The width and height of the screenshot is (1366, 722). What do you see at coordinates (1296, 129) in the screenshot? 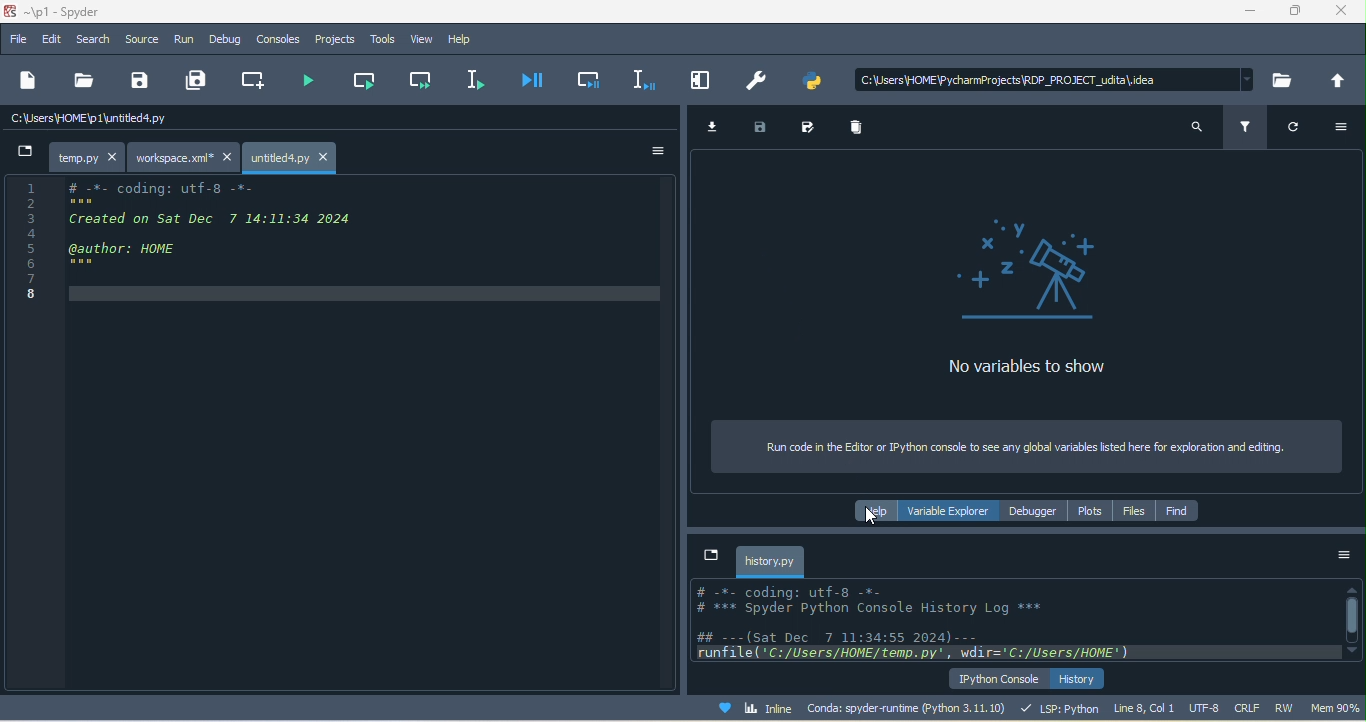
I see `refresh` at bounding box center [1296, 129].